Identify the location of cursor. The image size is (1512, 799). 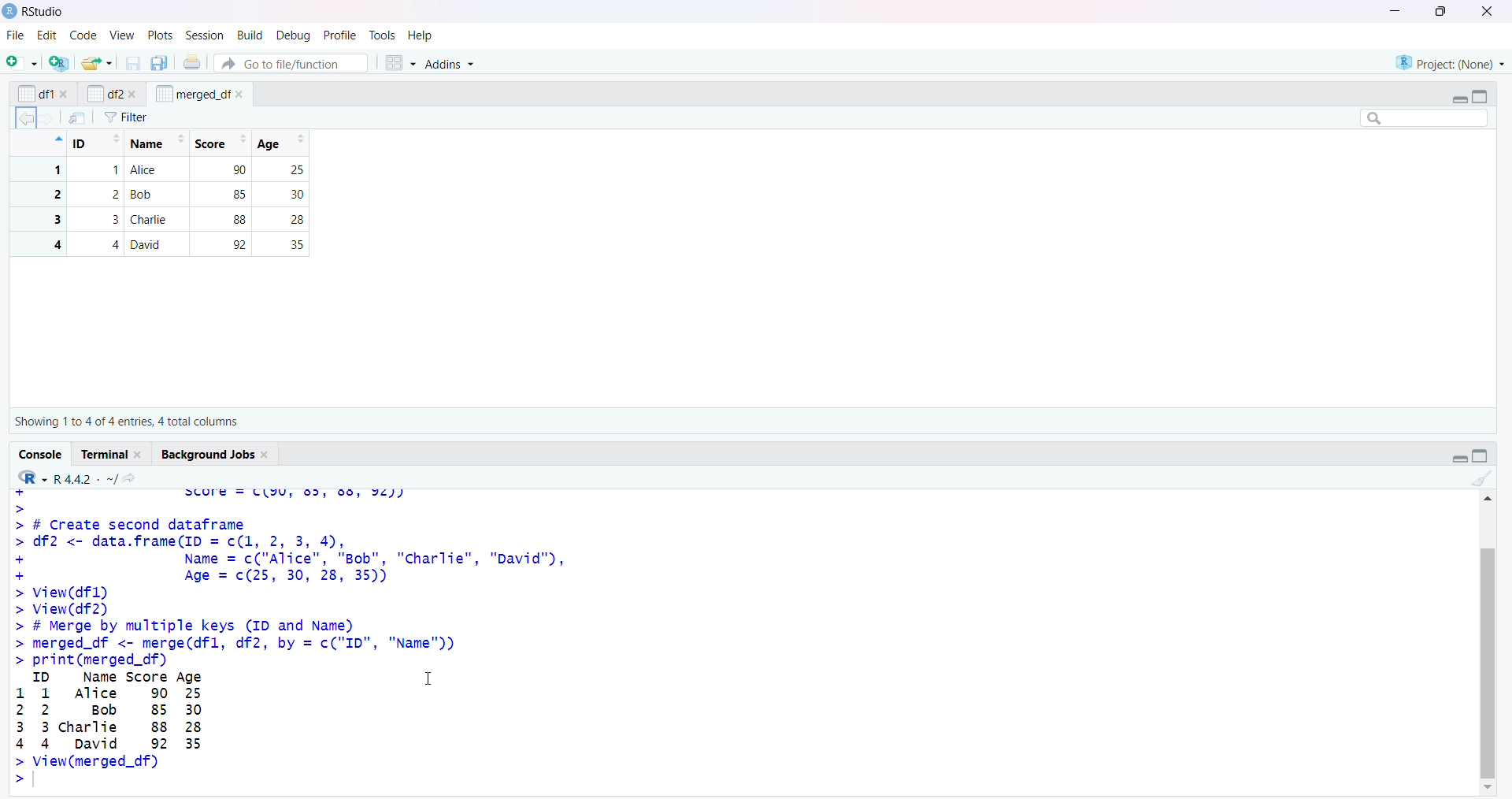
(429, 678).